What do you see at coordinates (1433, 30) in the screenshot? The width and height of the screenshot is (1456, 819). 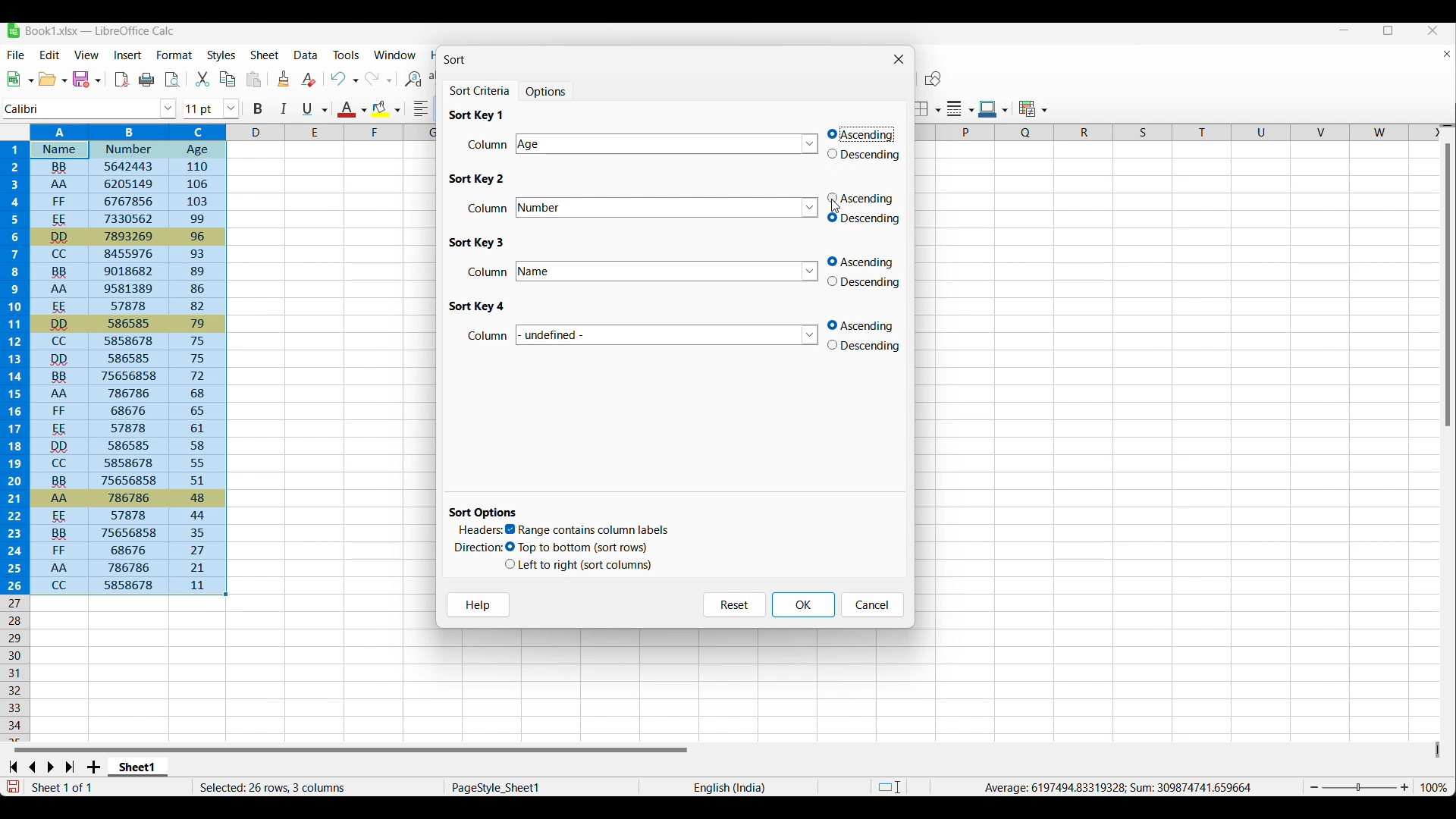 I see `Close interface` at bounding box center [1433, 30].